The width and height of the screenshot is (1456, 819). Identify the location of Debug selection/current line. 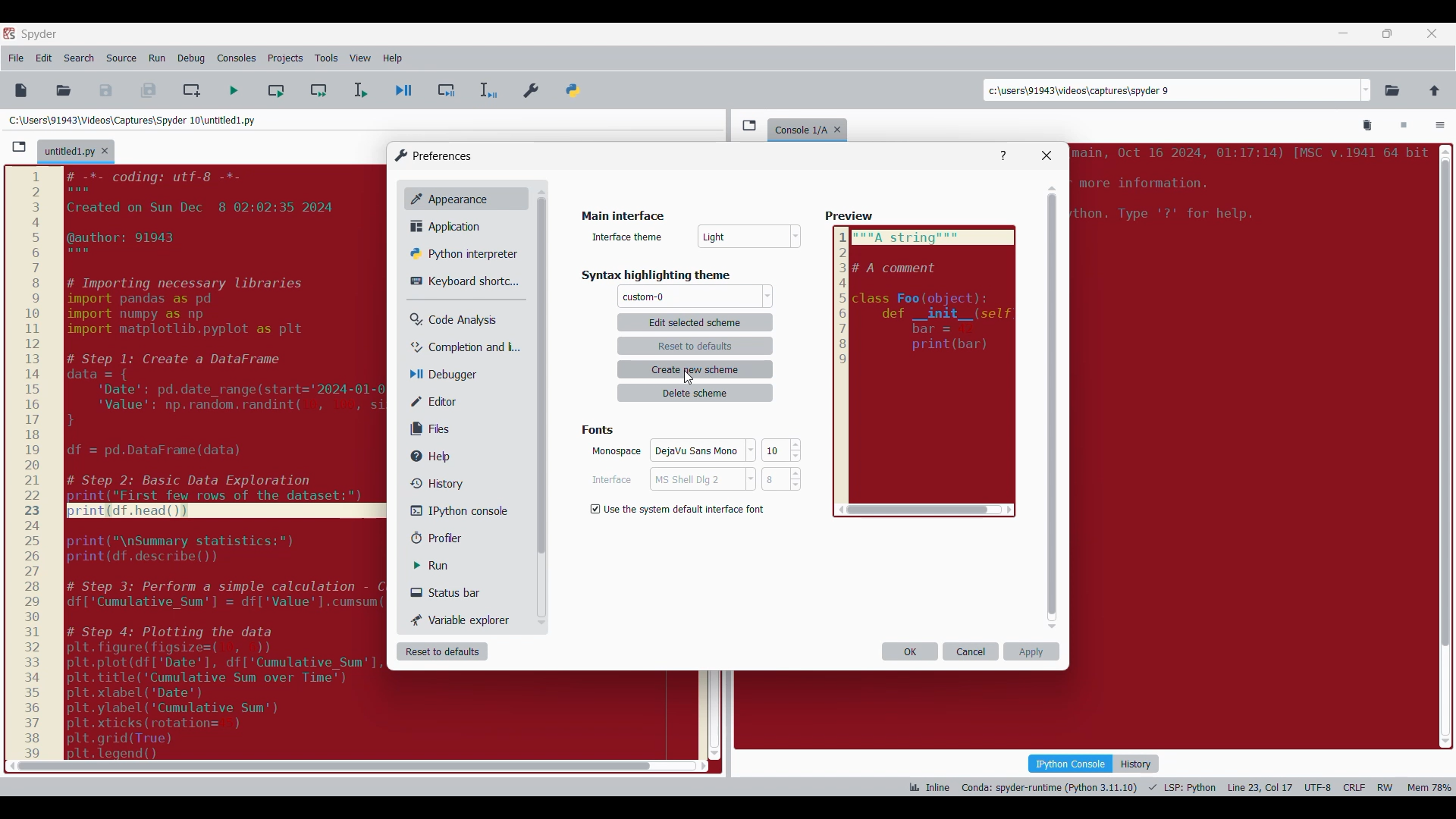
(487, 90).